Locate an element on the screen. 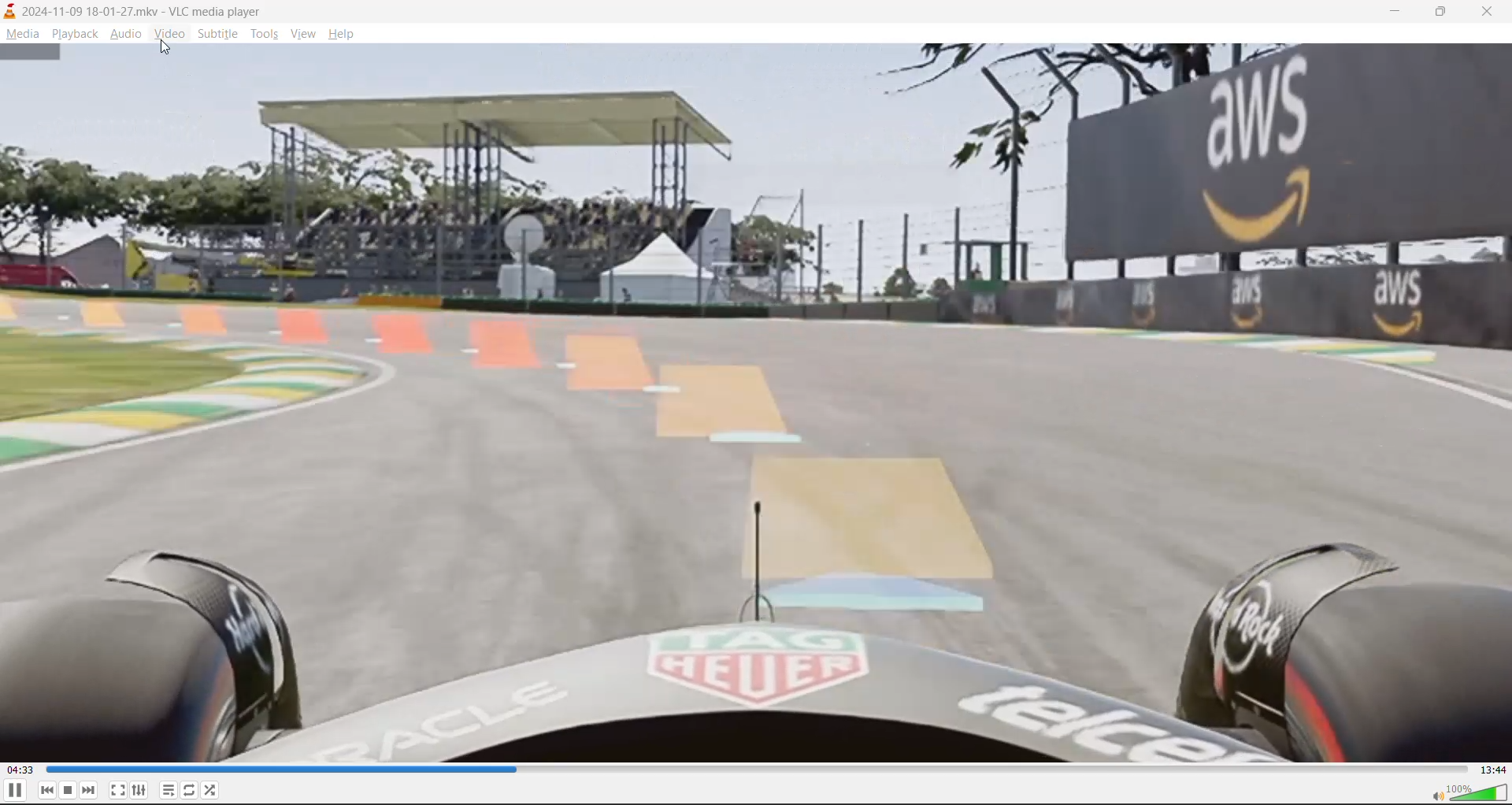  close is located at coordinates (1492, 12).